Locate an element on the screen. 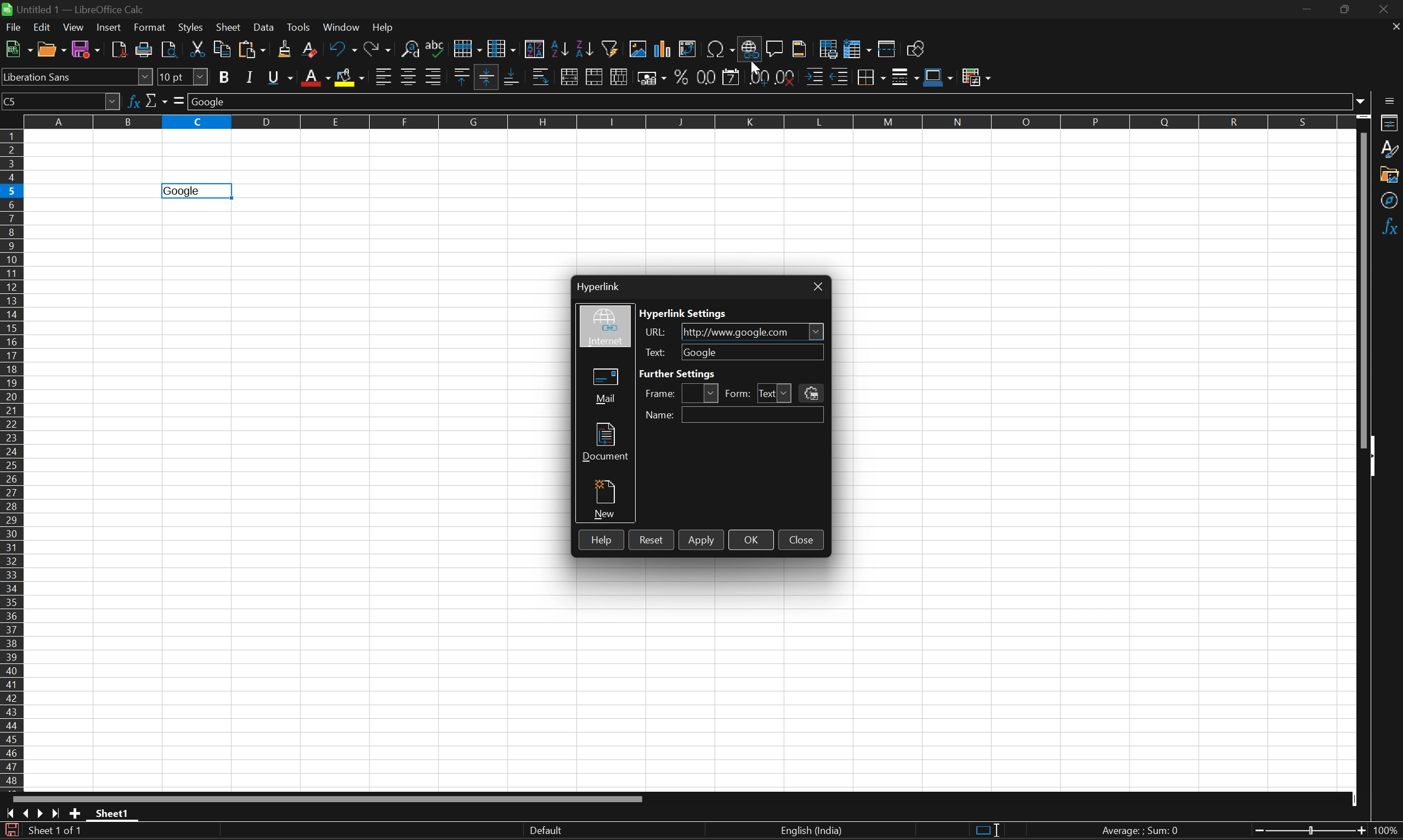 The image size is (1403, 840). Paste is located at coordinates (251, 50).